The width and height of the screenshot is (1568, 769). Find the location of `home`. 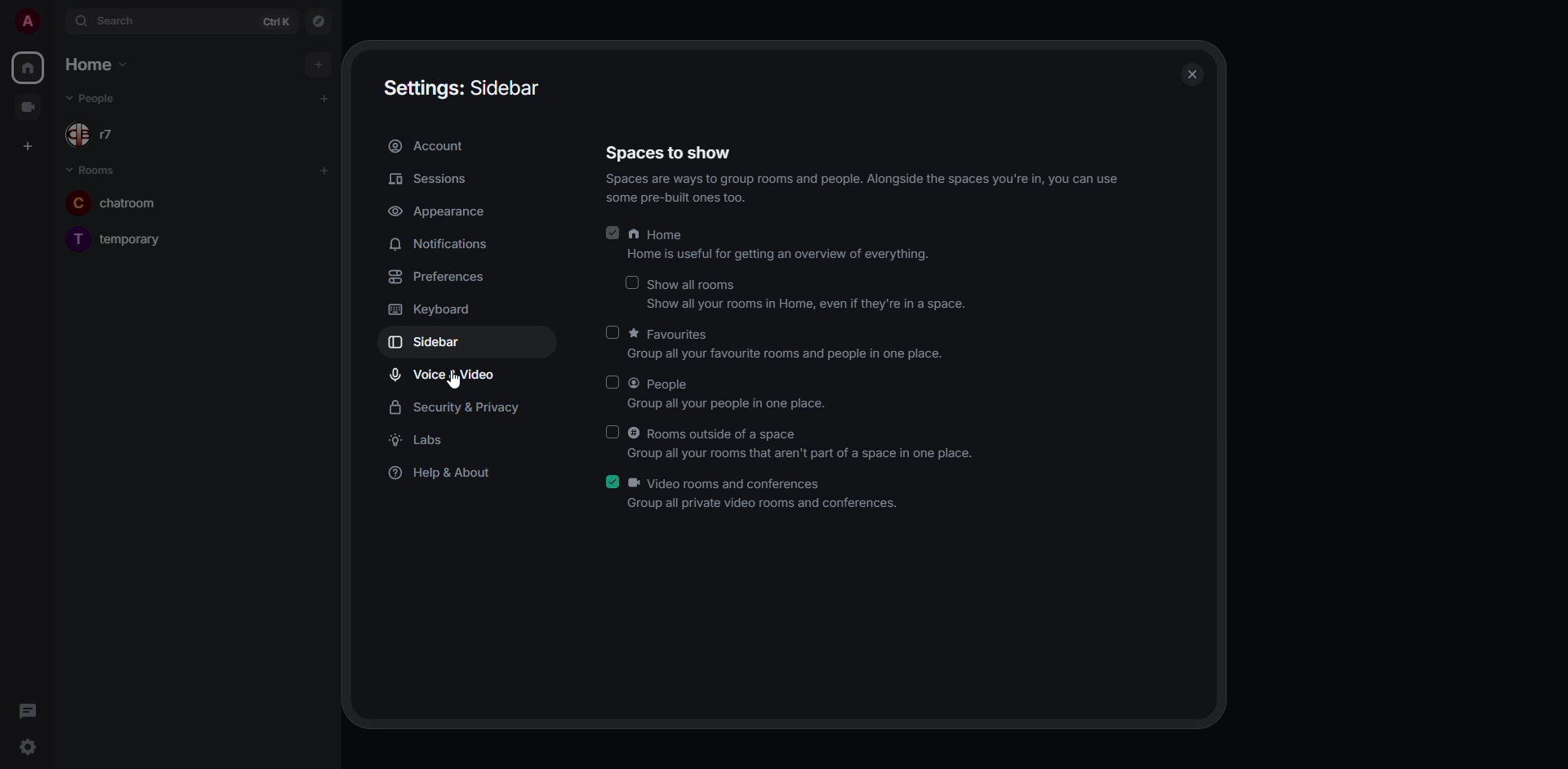

home is located at coordinates (784, 236).